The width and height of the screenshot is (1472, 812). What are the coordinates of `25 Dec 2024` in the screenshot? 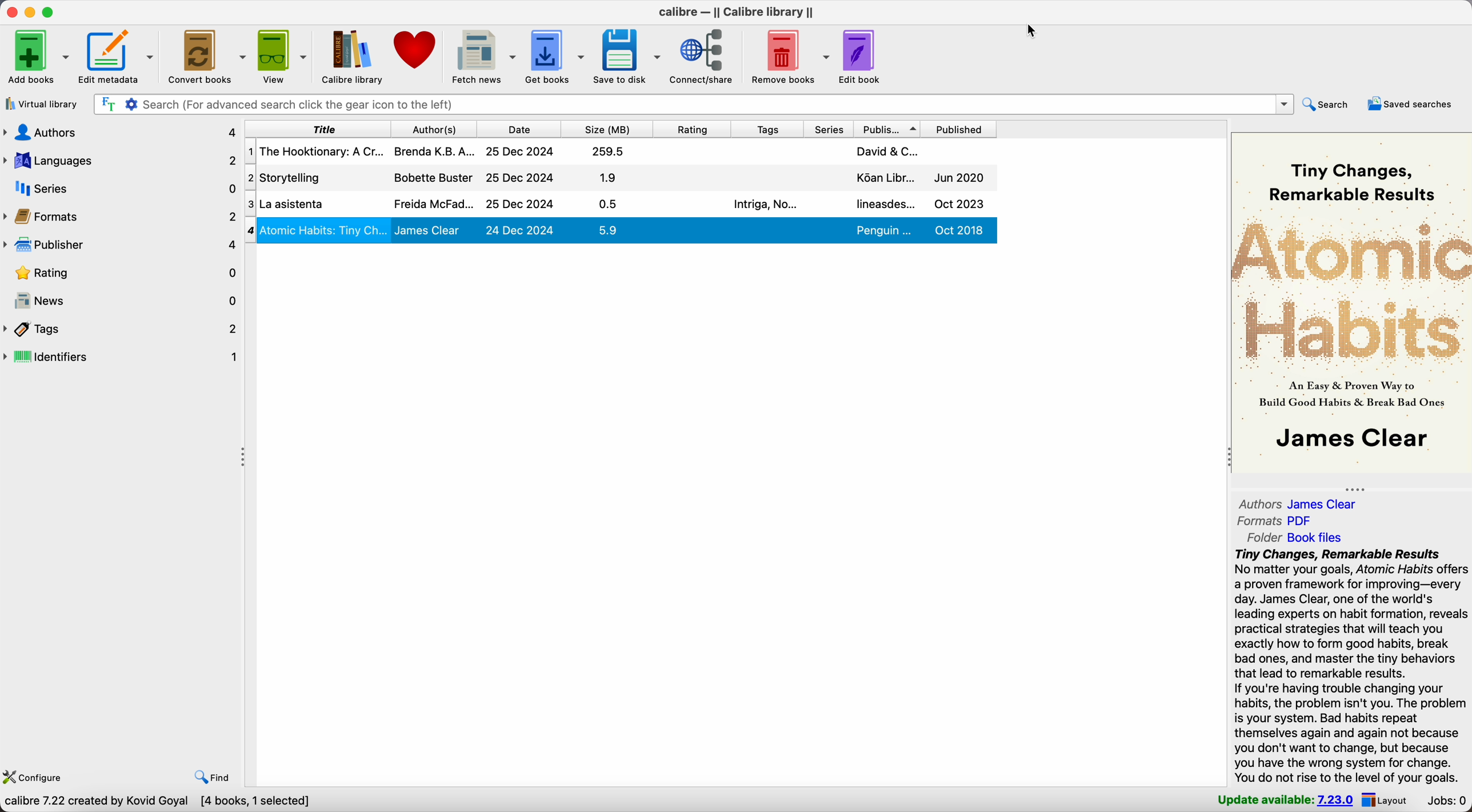 It's located at (521, 204).